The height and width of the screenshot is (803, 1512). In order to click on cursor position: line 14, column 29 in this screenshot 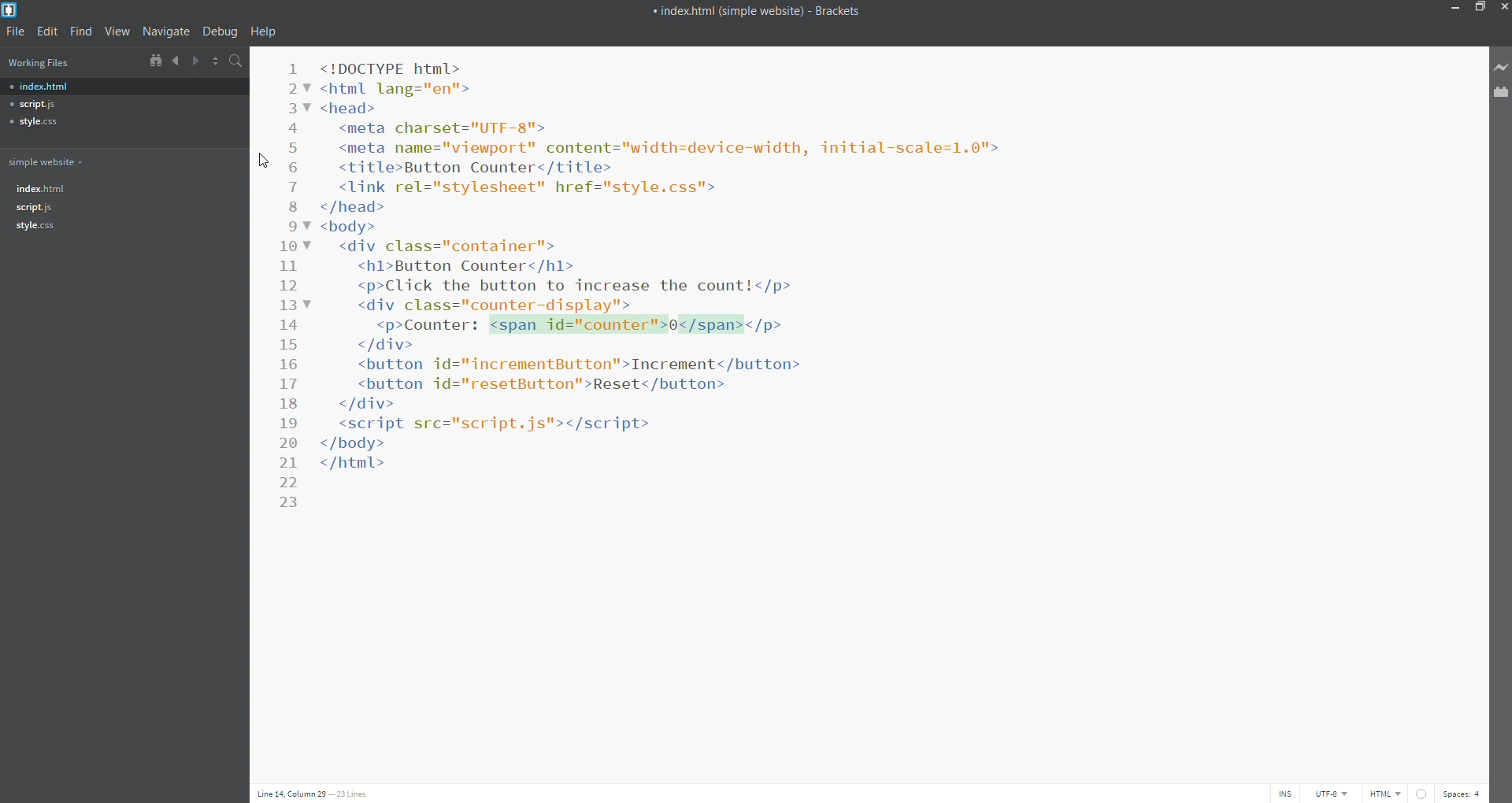, I will do `click(290, 794)`.